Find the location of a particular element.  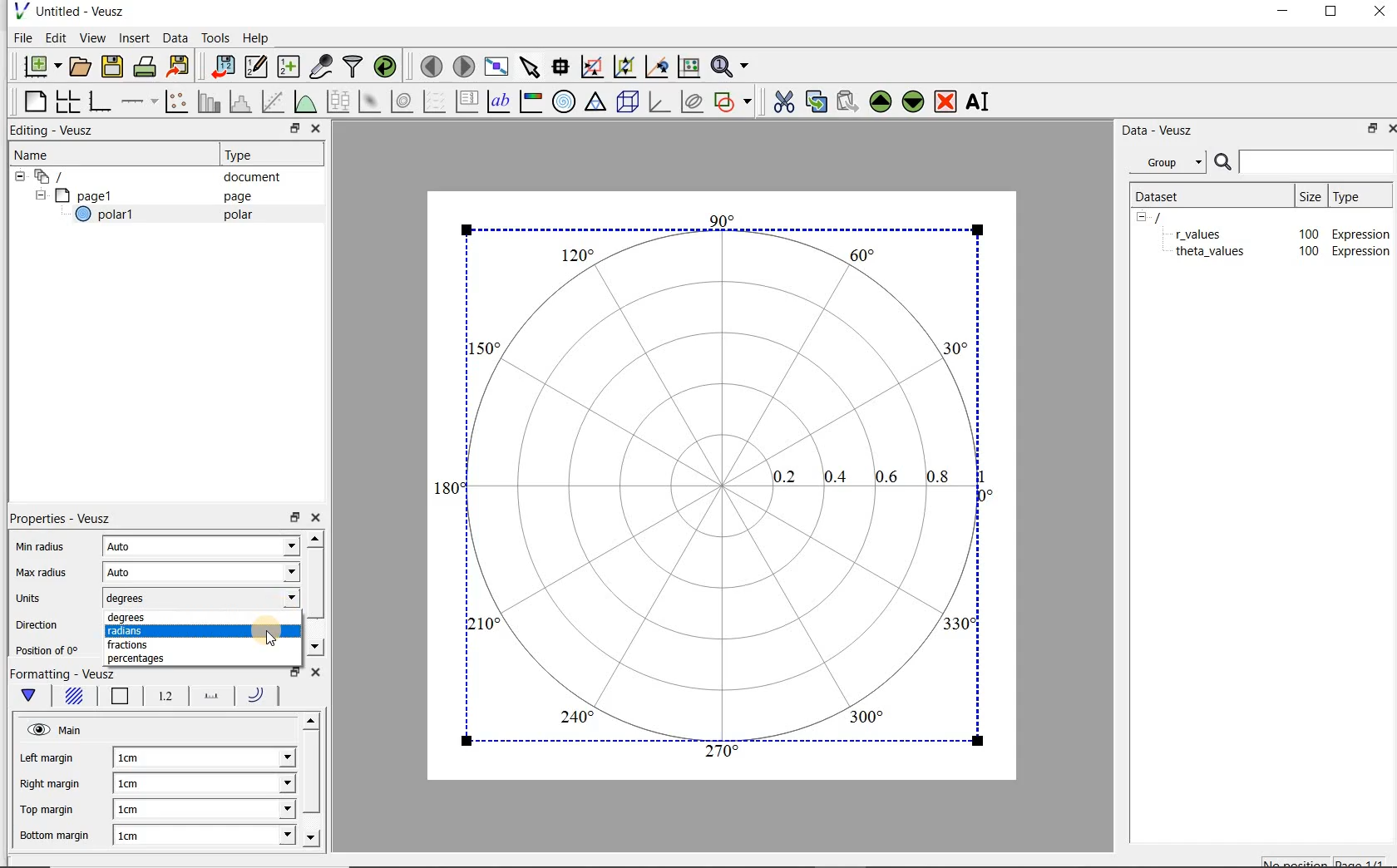

plot a vector field is located at coordinates (435, 100).